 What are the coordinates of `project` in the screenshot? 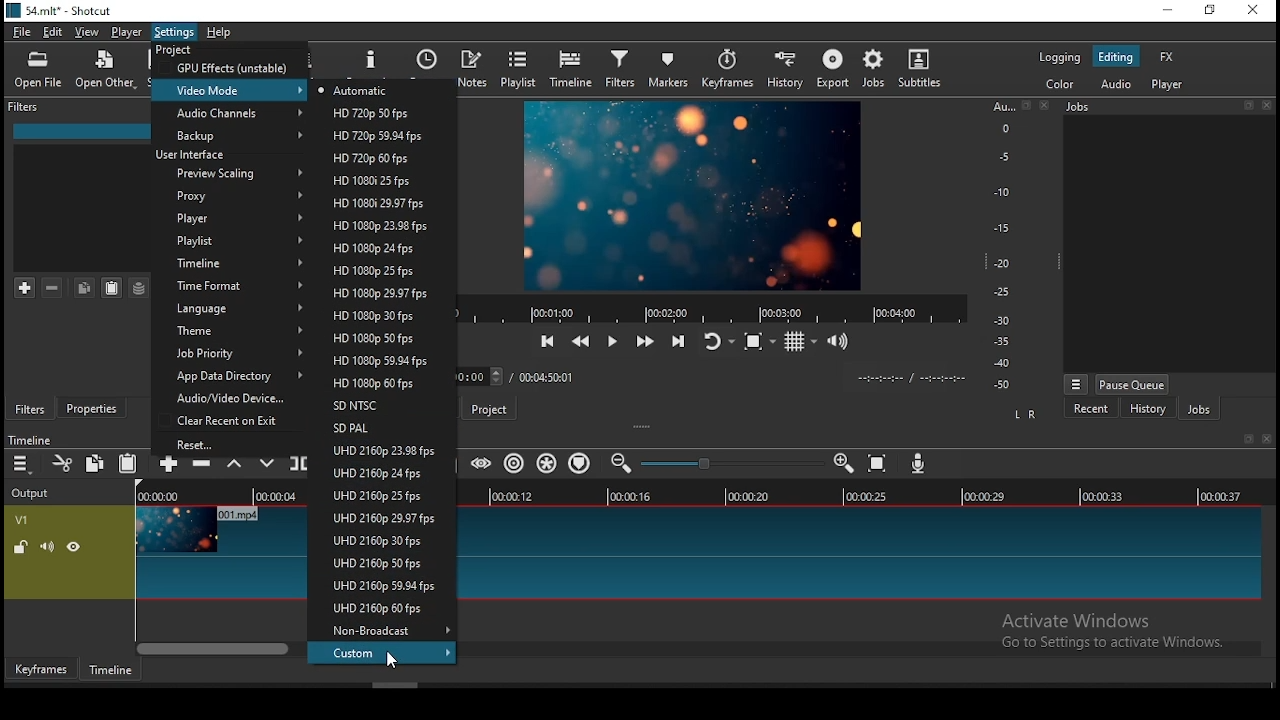 It's located at (489, 408).